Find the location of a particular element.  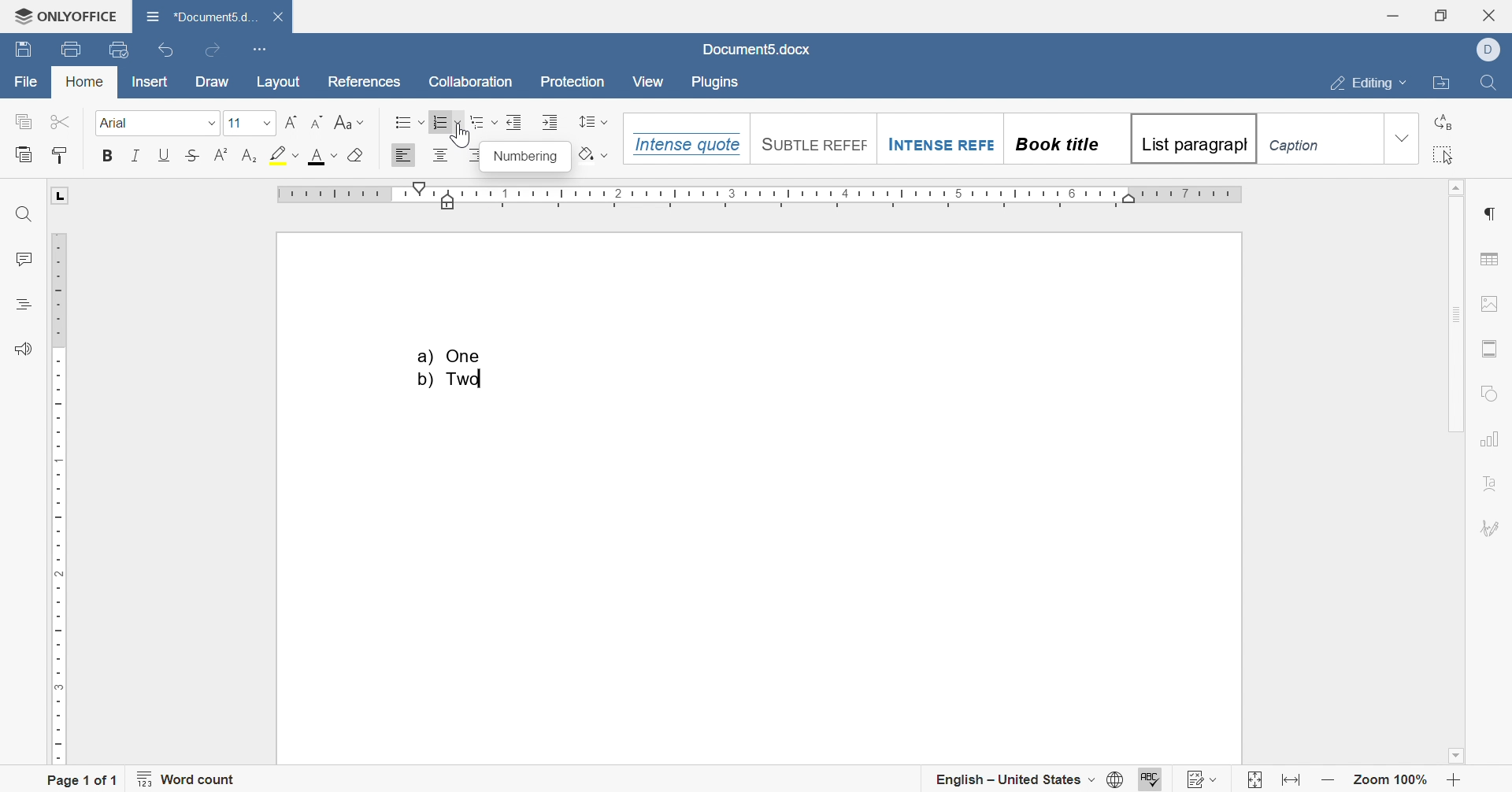

replace is located at coordinates (1446, 121).